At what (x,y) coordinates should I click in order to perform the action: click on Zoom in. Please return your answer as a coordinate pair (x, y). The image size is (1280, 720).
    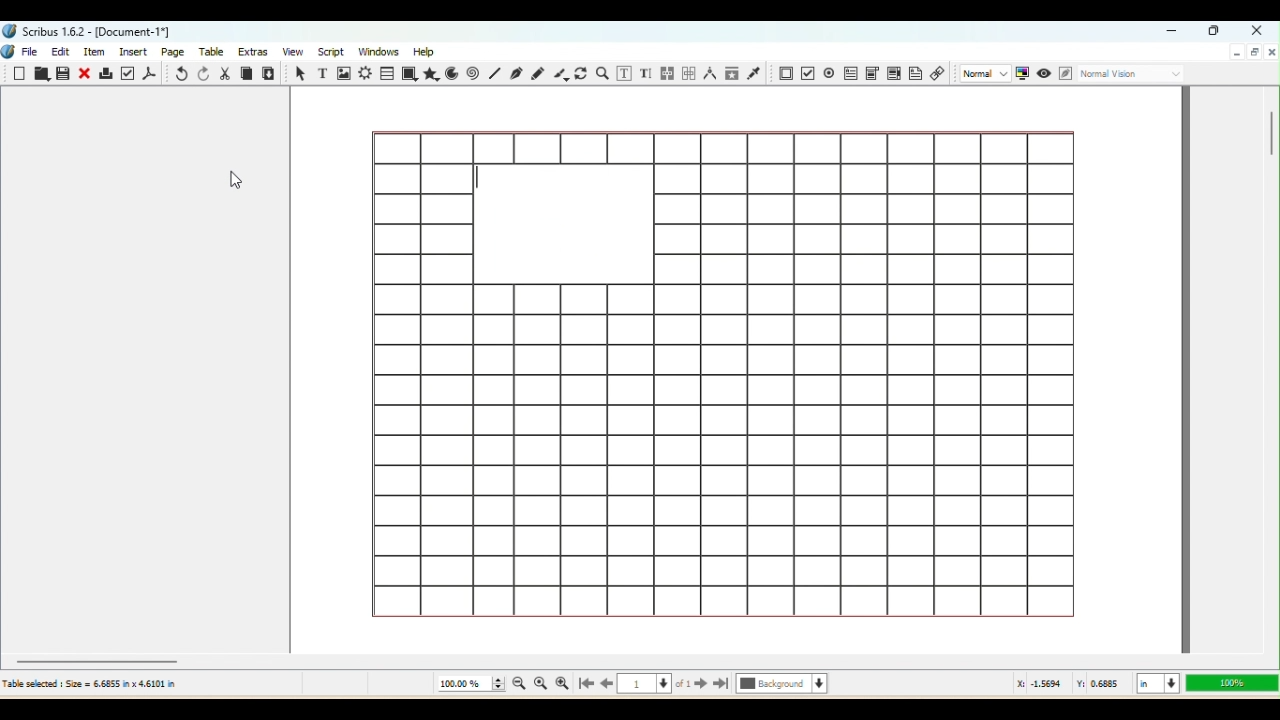
    Looking at the image, I should click on (562, 684).